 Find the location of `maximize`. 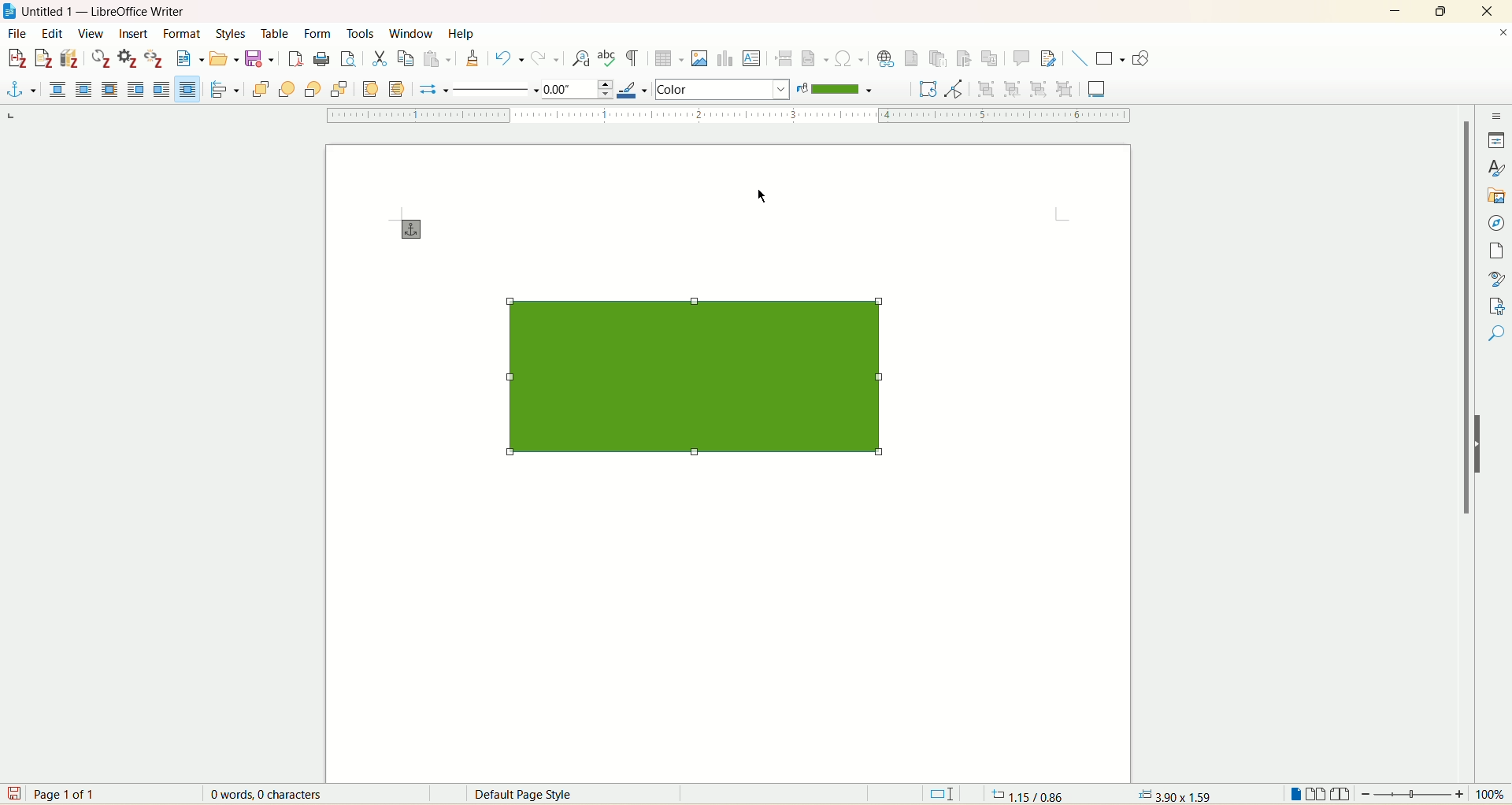

maximize is located at coordinates (1443, 11).